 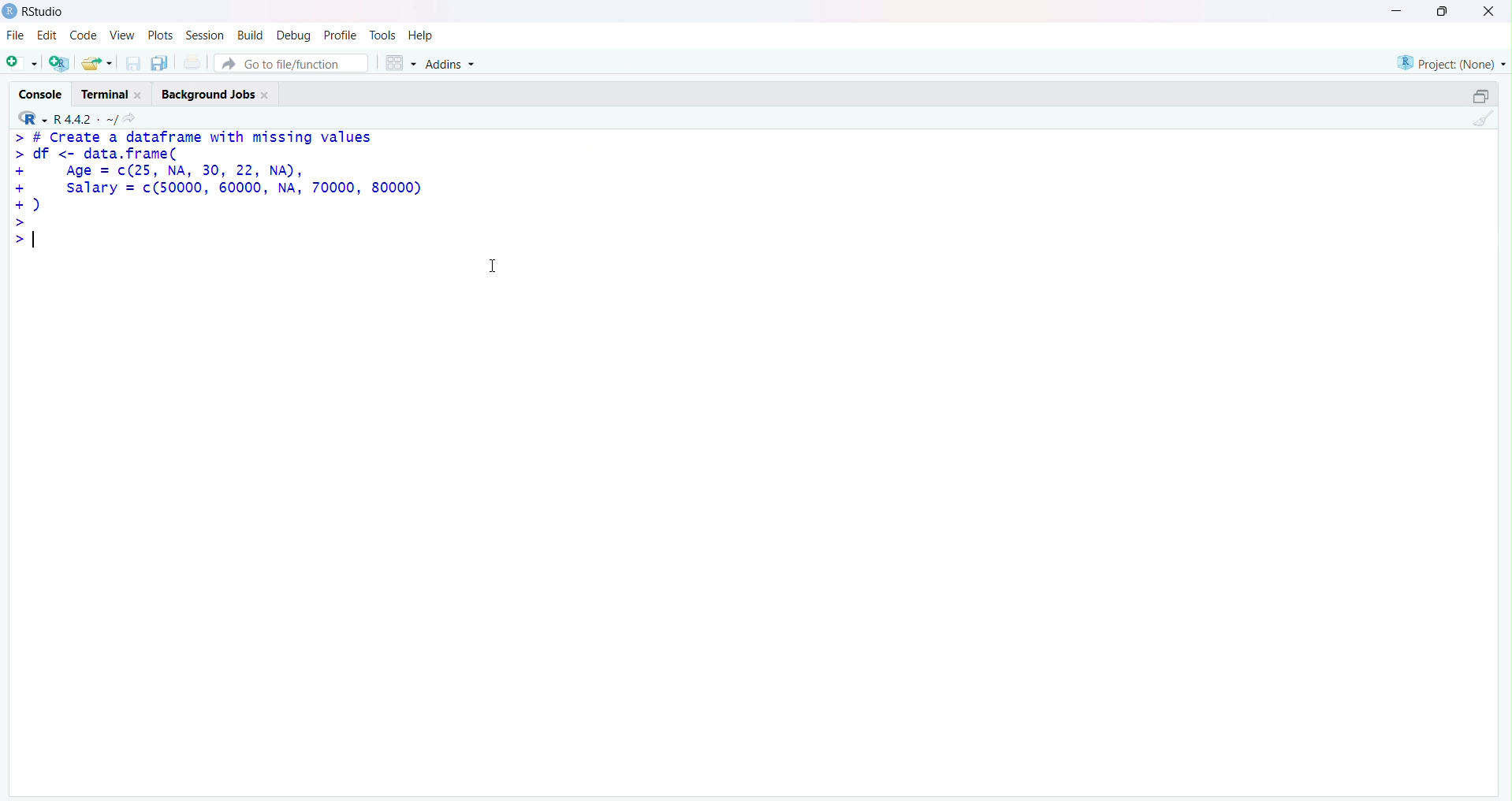 What do you see at coordinates (1484, 95) in the screenshot?
I see `Maximize/Restore` at bounding box center [1484, 95].